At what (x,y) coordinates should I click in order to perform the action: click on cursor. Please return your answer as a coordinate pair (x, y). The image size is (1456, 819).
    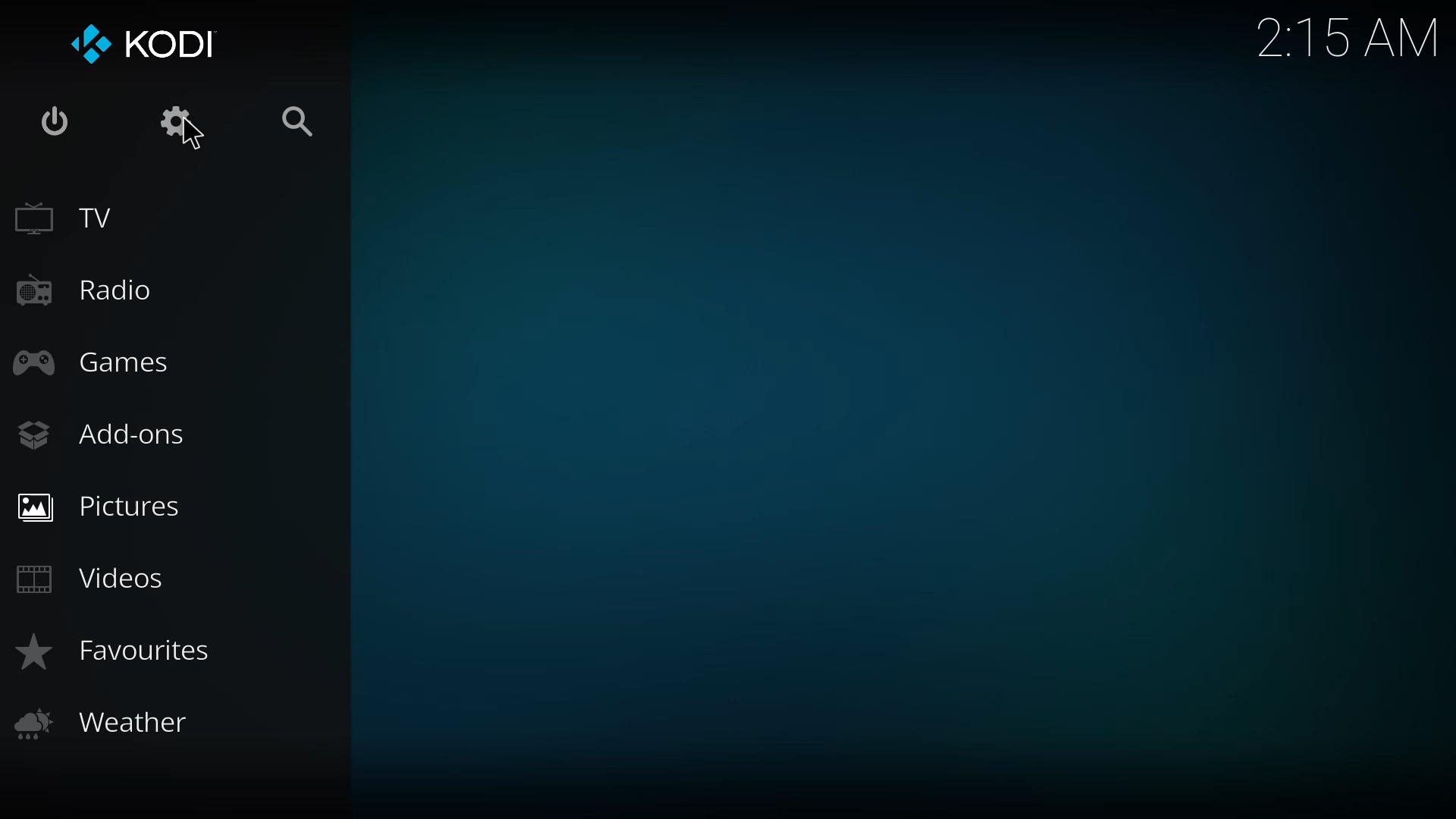
    Looking at the image, I should click on (193, 135).